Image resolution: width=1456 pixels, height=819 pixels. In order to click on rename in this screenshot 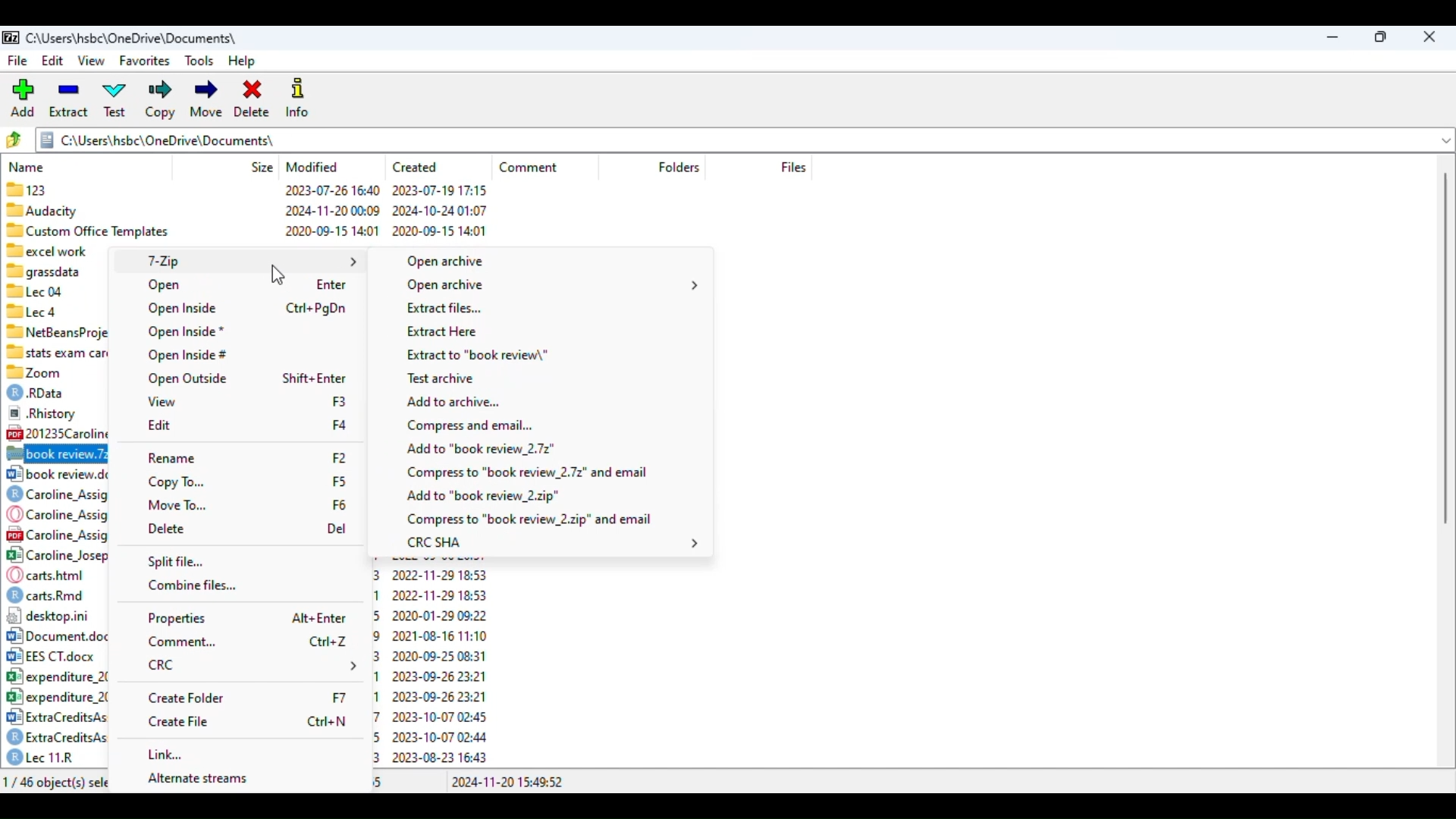, I will do `click(173, 458)`.